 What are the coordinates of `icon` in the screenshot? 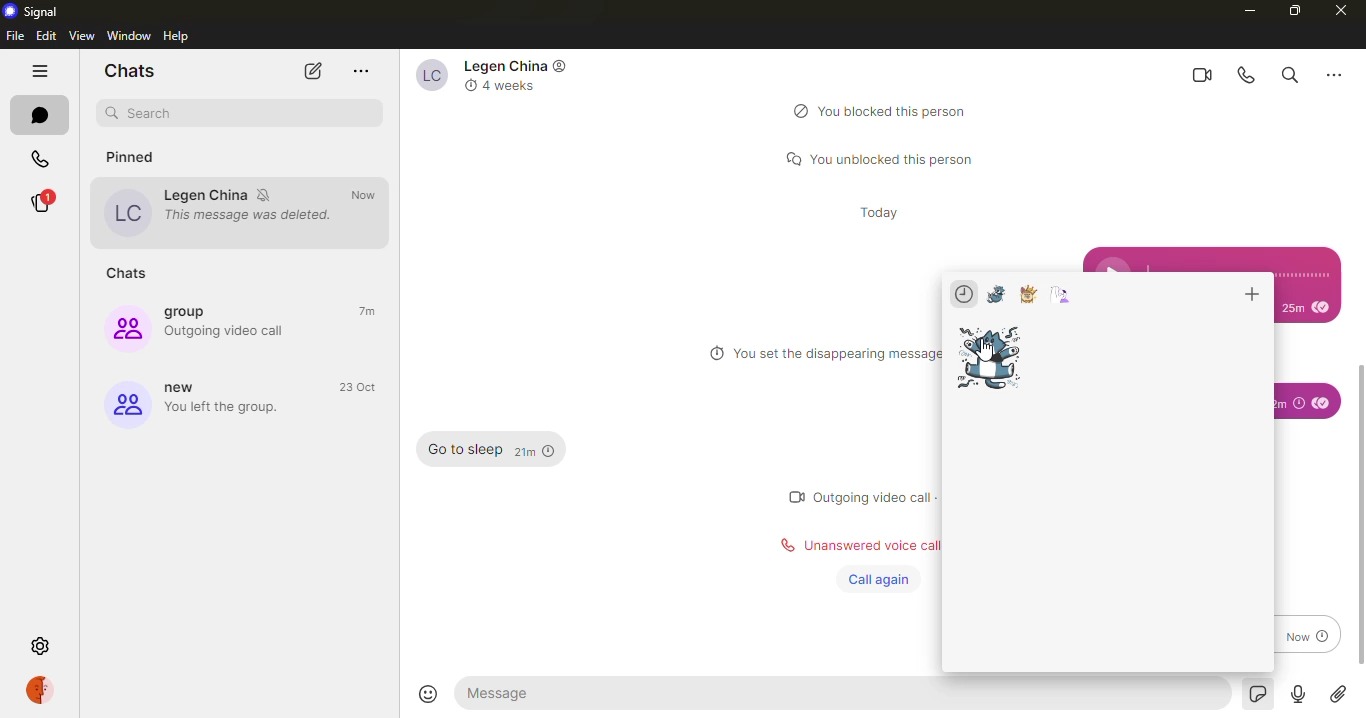 It's located at (563, 68).